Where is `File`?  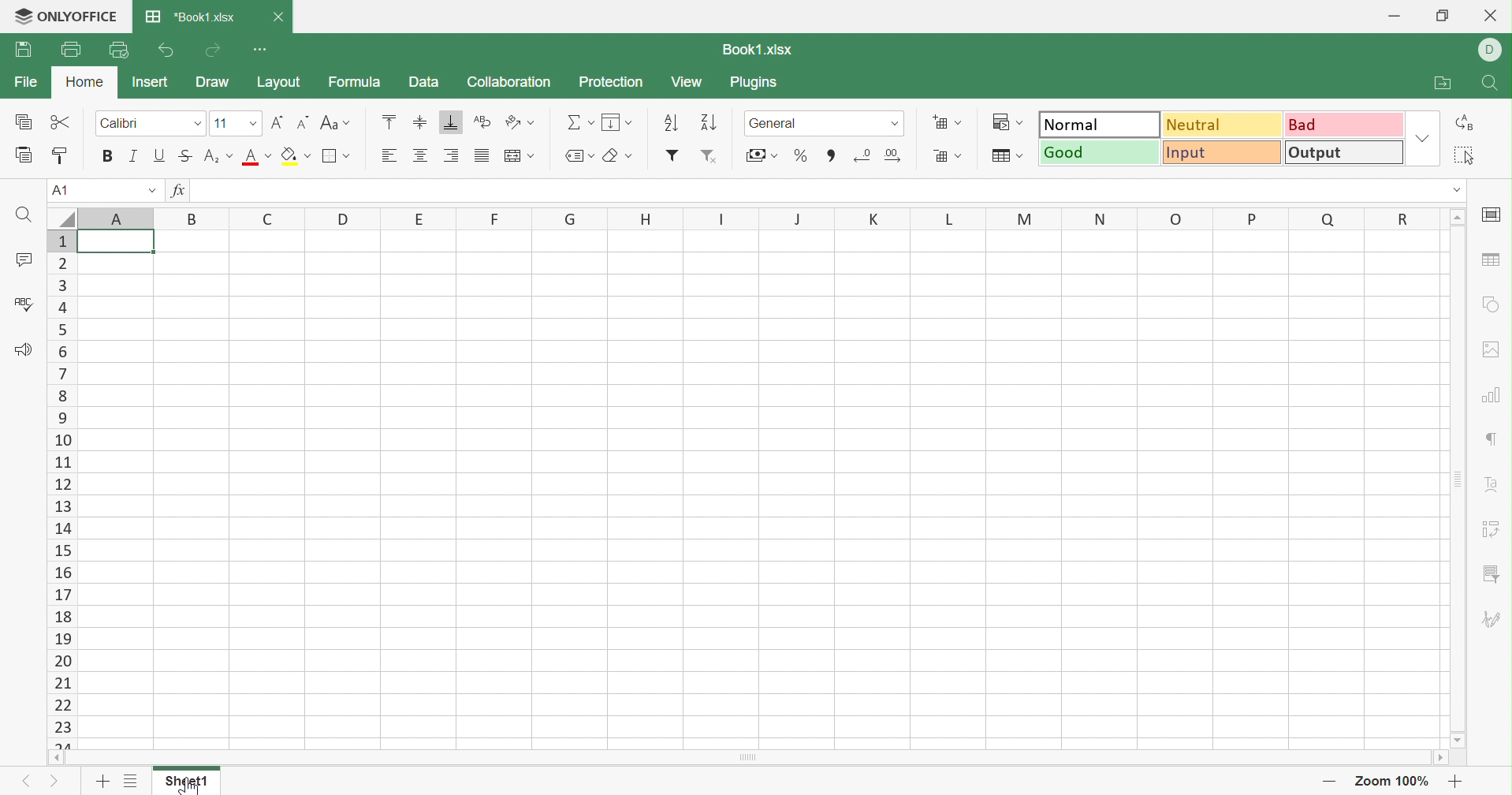
File is located at coordinates (28, 80).